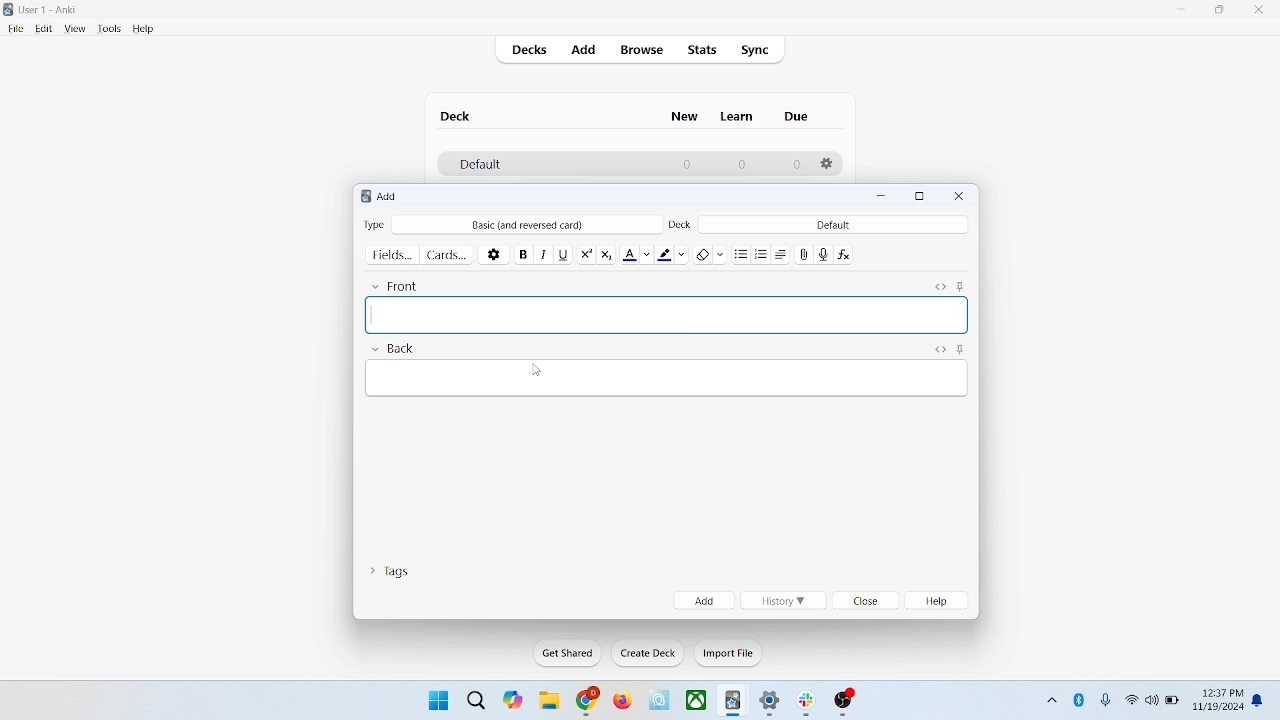 Image resolution: width=1280 pixels, height=720 pixels. Describe the element at coordinates (522, 252) in the screenshot. I see `bold` at that location.